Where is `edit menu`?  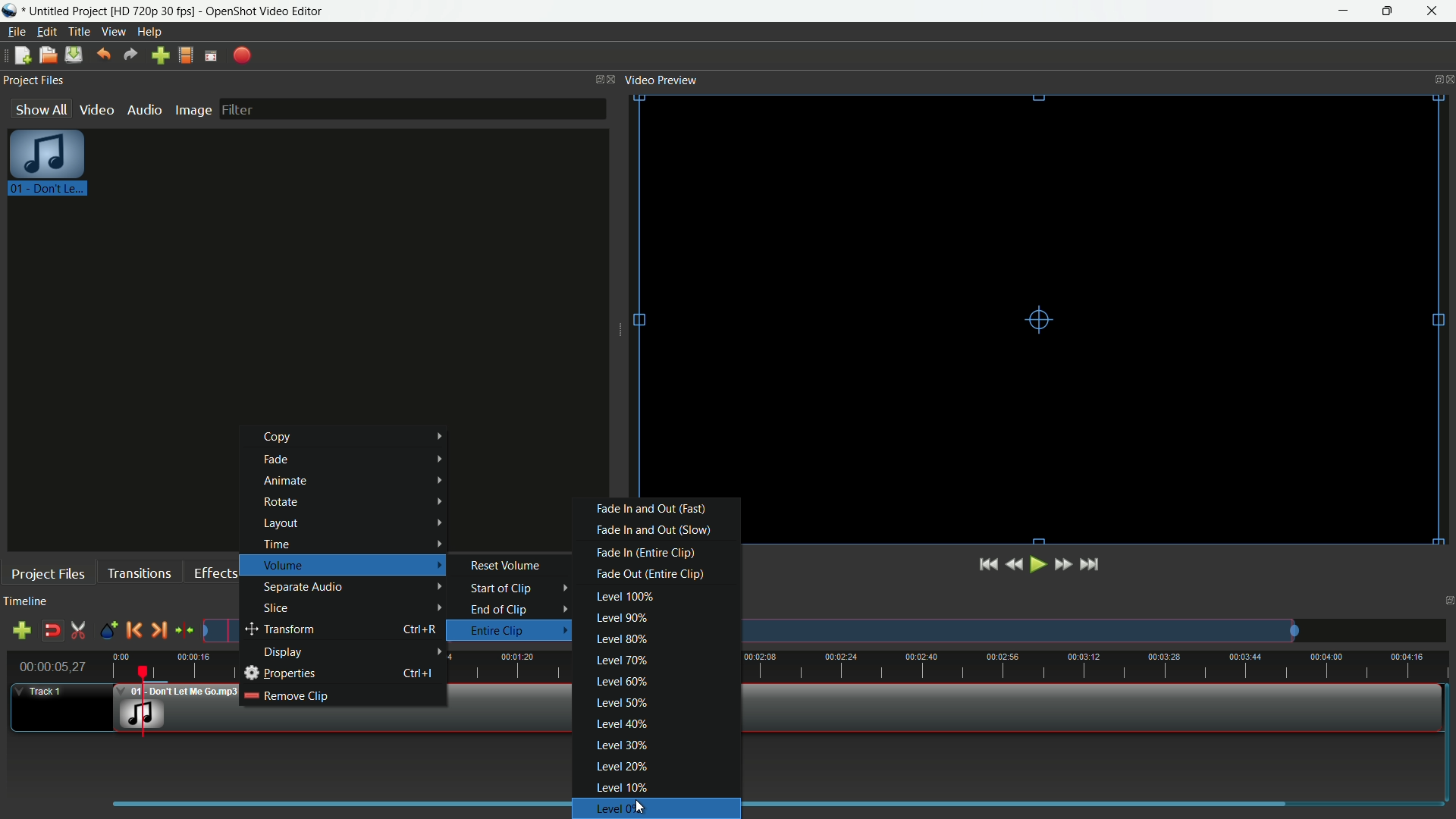
edit menu is located at coordinates (46, 31).